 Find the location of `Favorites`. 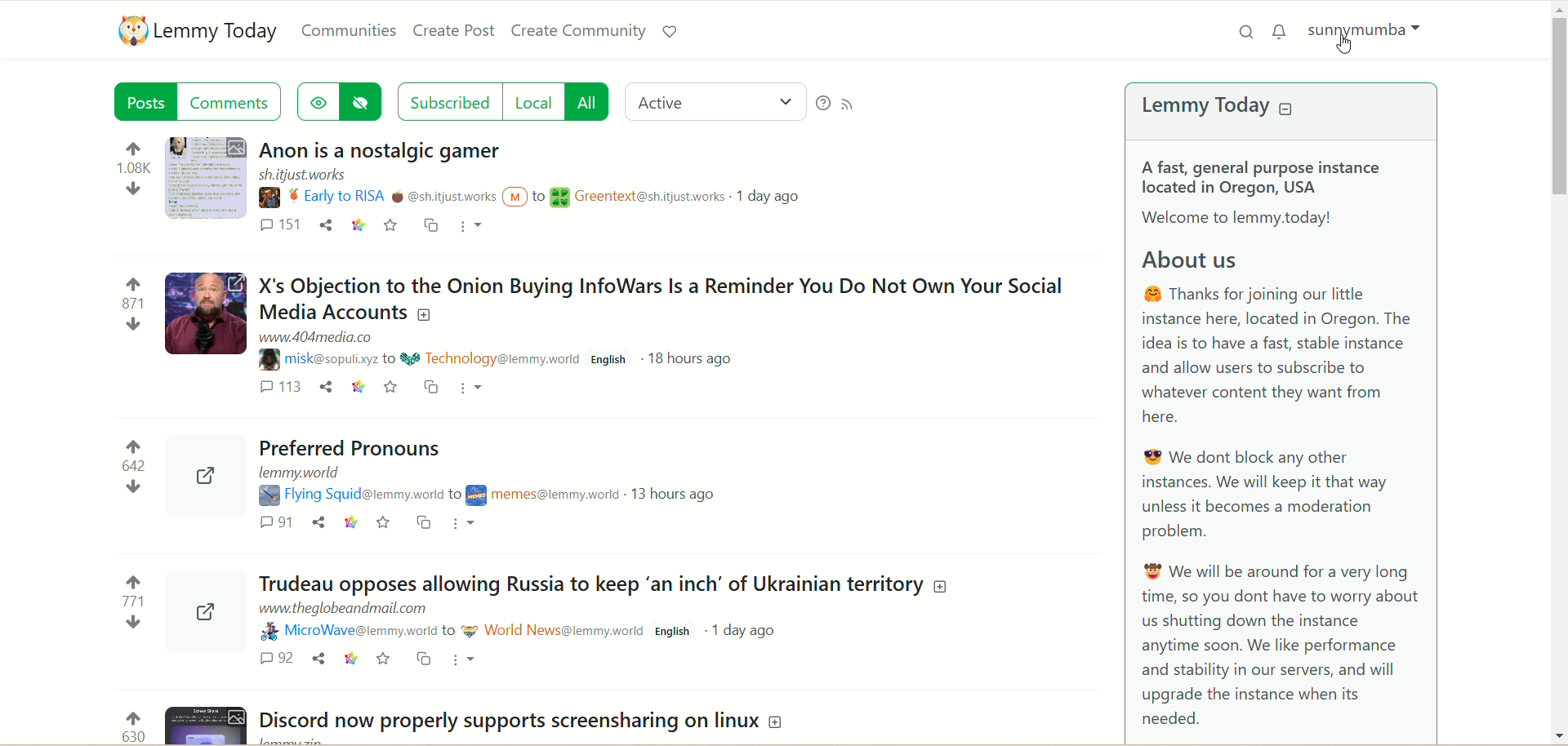

Favorites is located at coordinates (384, 522).